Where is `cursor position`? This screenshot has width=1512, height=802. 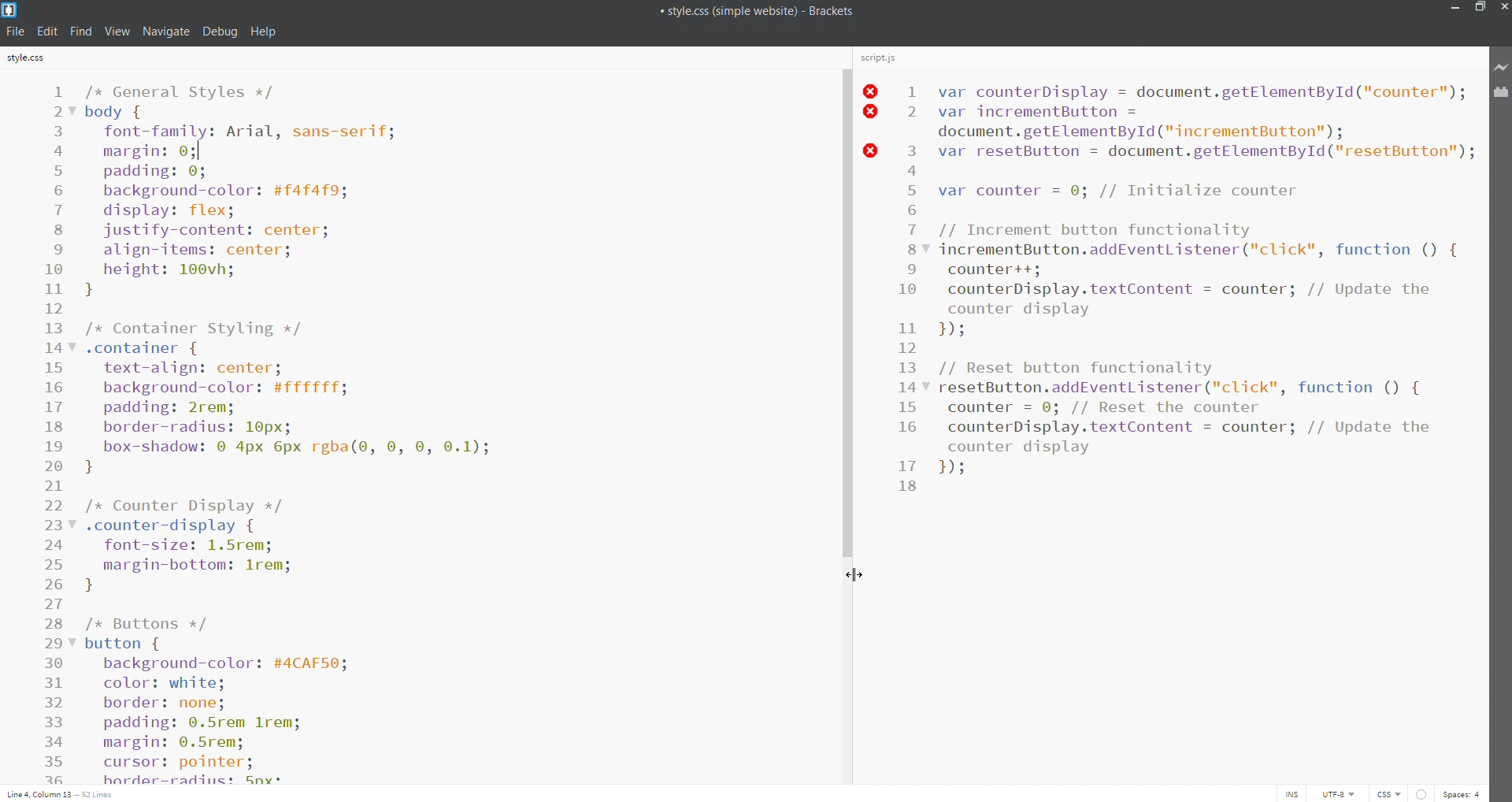
cursor position is located at coordinates (65, 795).